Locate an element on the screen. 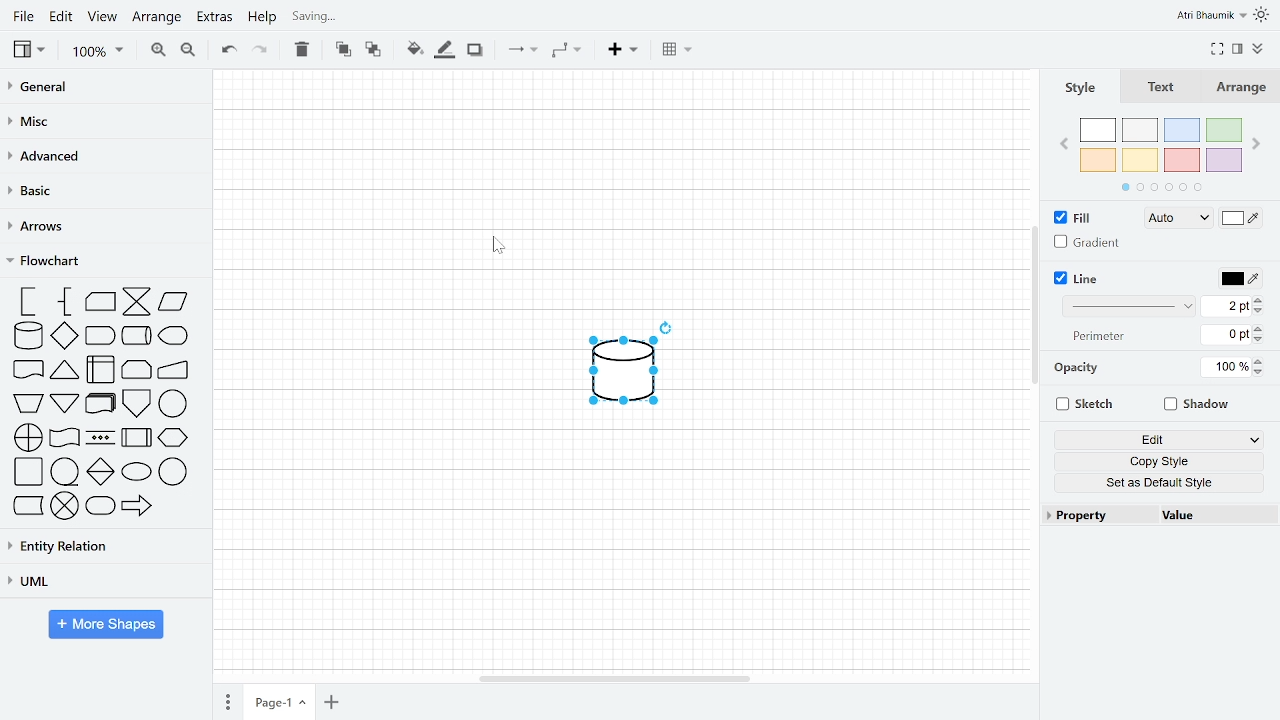 This screenshot has height=720, width=1280. red is located at coordinates (1182, 159).